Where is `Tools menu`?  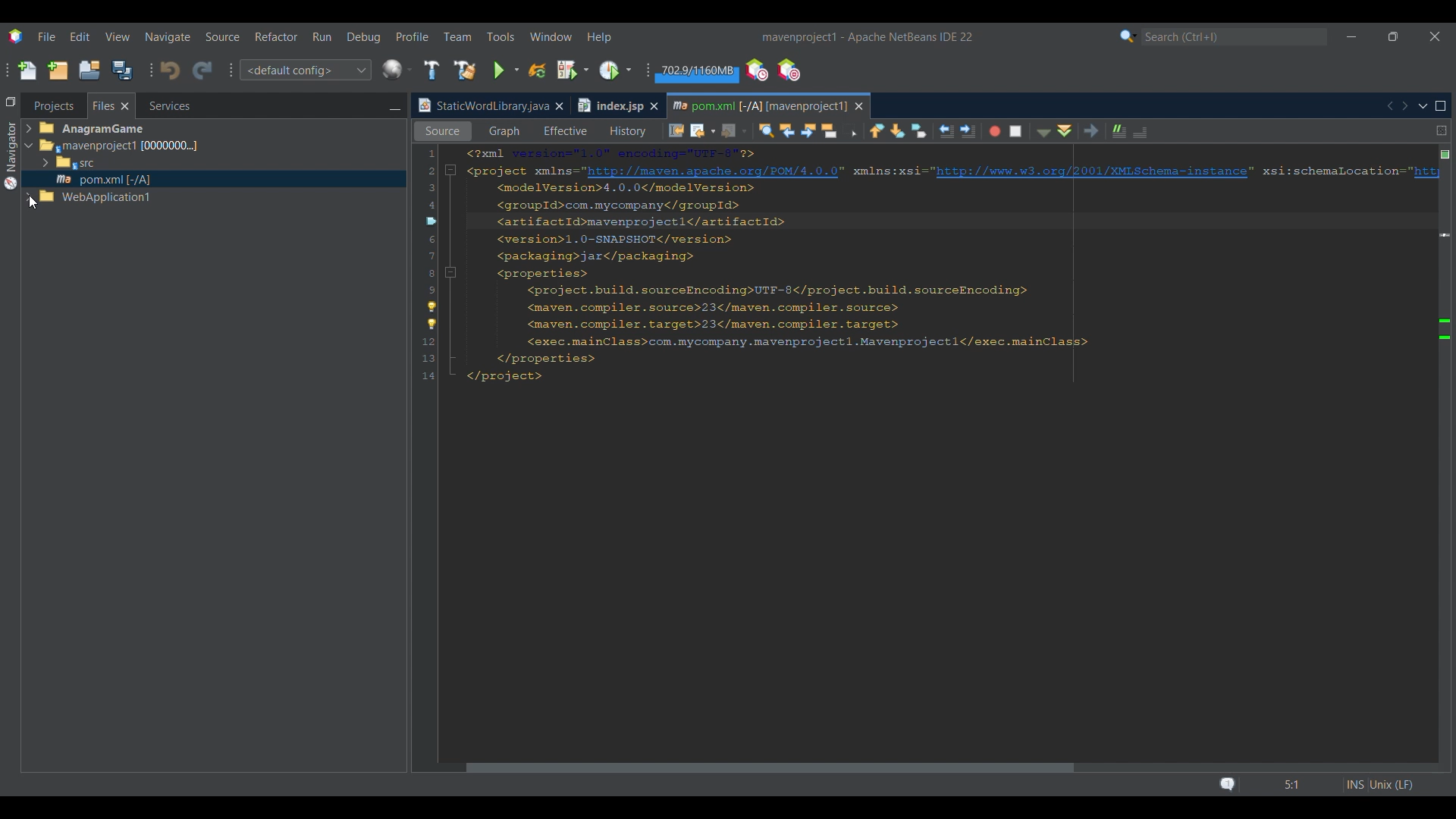 Tools menu is located at coordinates (500, 36).